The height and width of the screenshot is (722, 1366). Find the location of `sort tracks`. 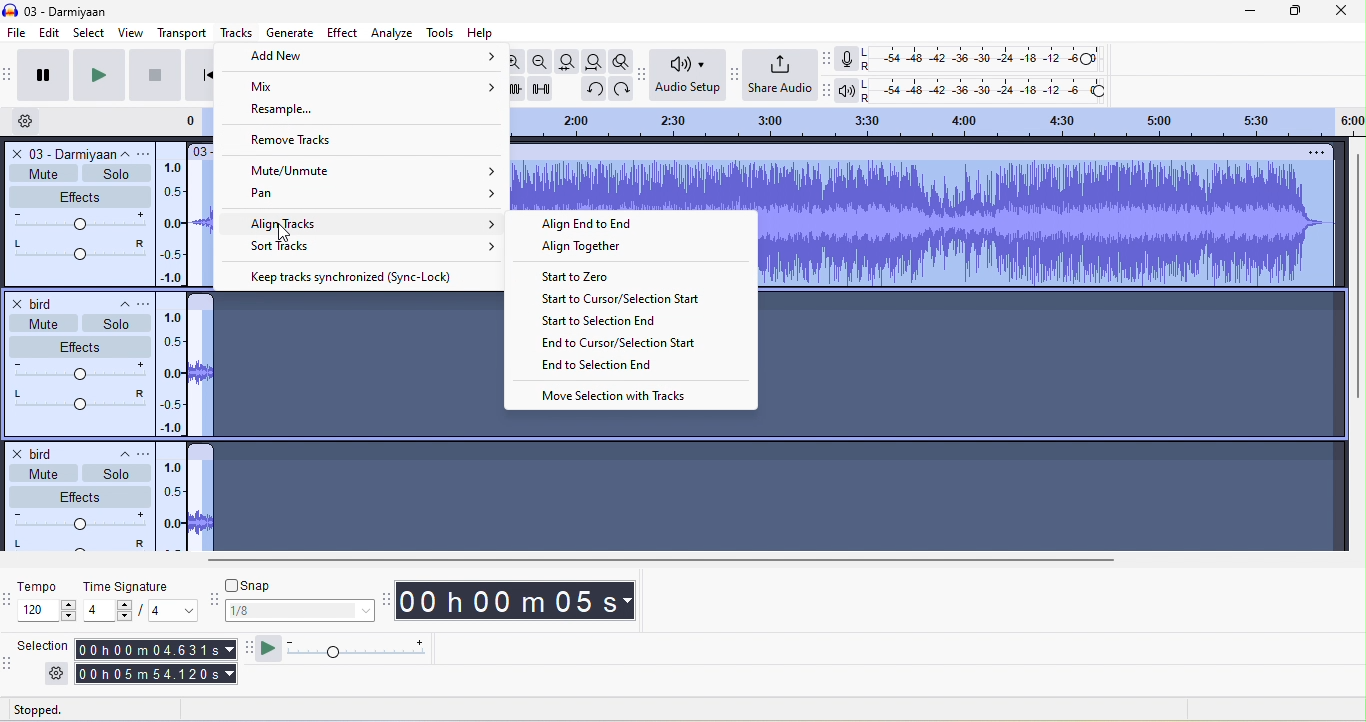

sort tracks is located at coordinates (375, 244).